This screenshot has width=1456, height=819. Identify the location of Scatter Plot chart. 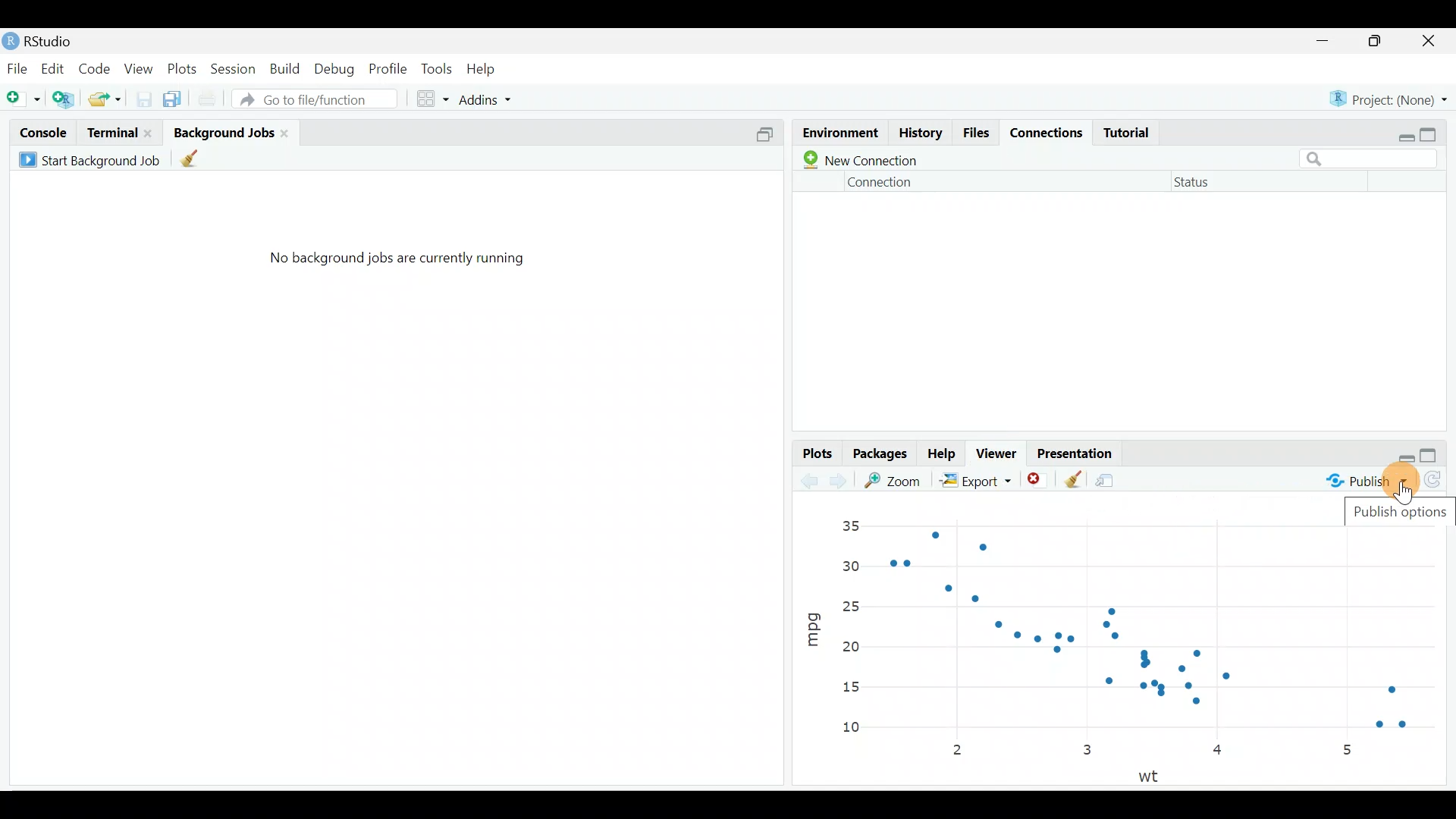
(1166, 632).